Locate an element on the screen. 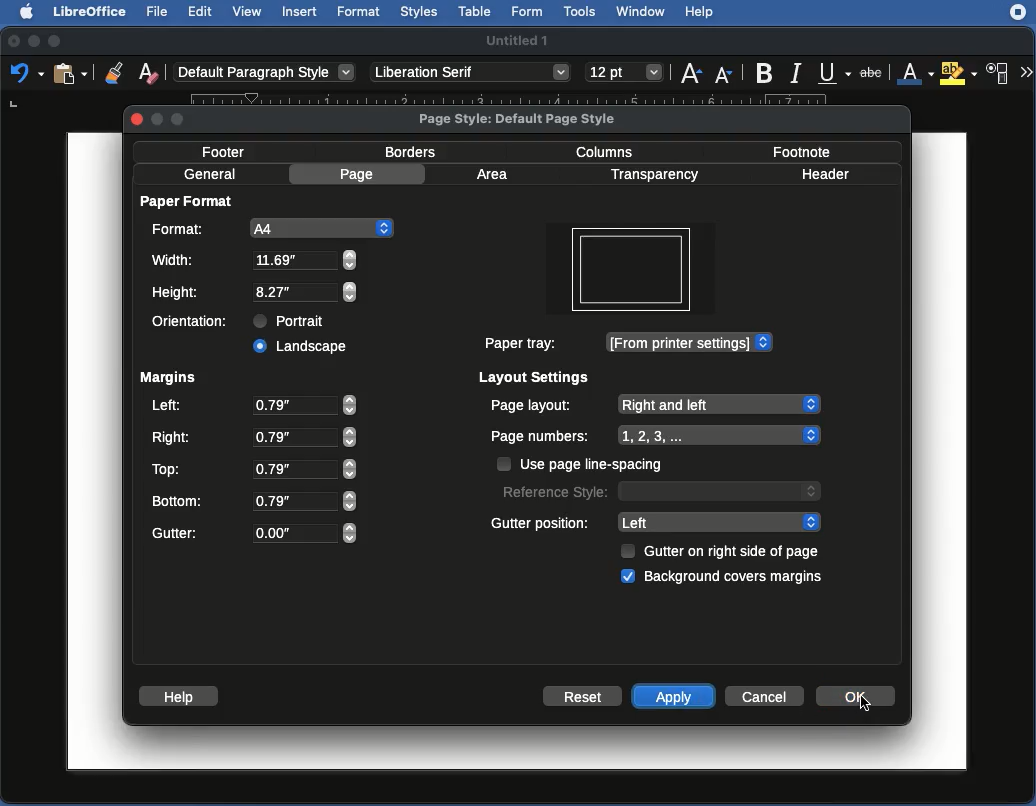 Image resolution: width=1036 pixels, height=806 pixels. 0.79" is located at coordinates (304, 469).